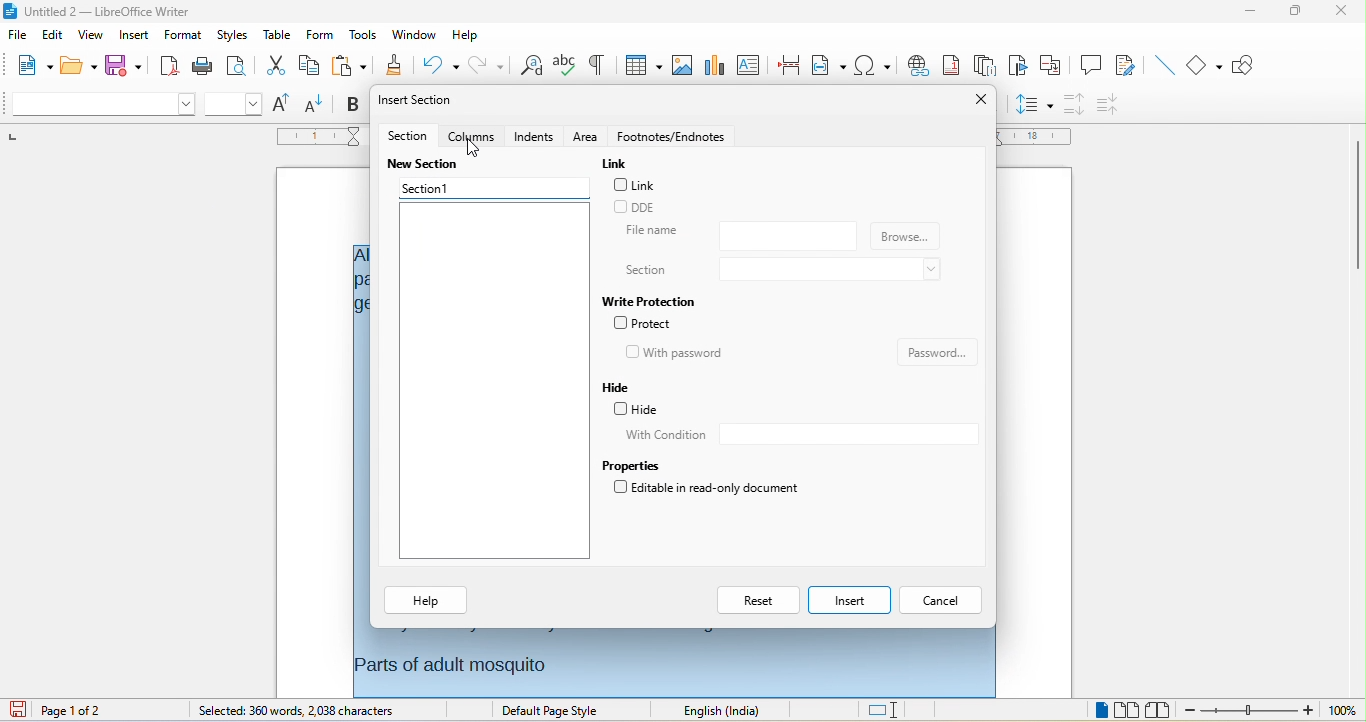 The height and width of the screenshot is (722, 1366). I want to click on area, so click(586, 136).